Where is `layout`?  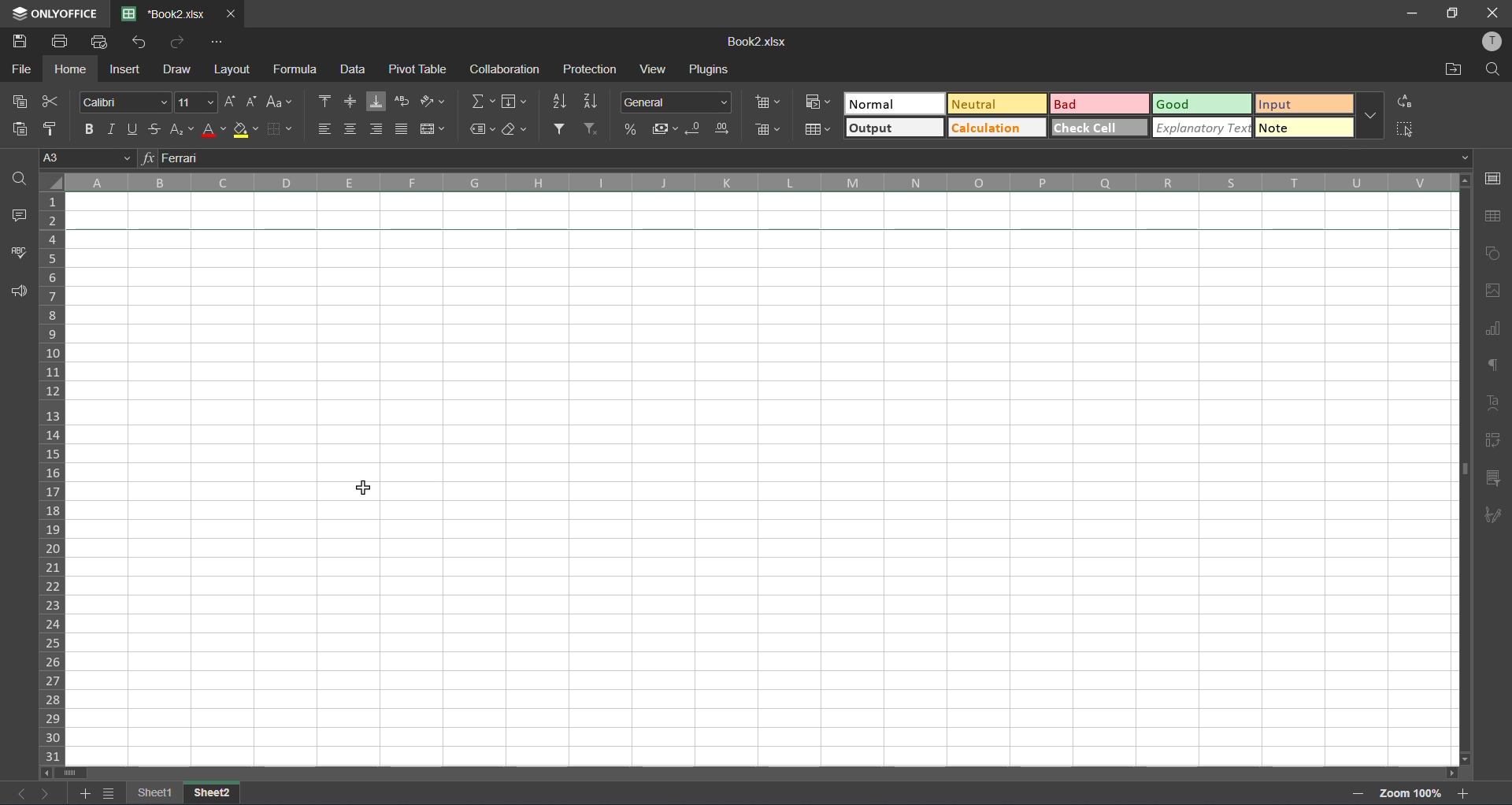
layout is located at coordinates (234, 72).